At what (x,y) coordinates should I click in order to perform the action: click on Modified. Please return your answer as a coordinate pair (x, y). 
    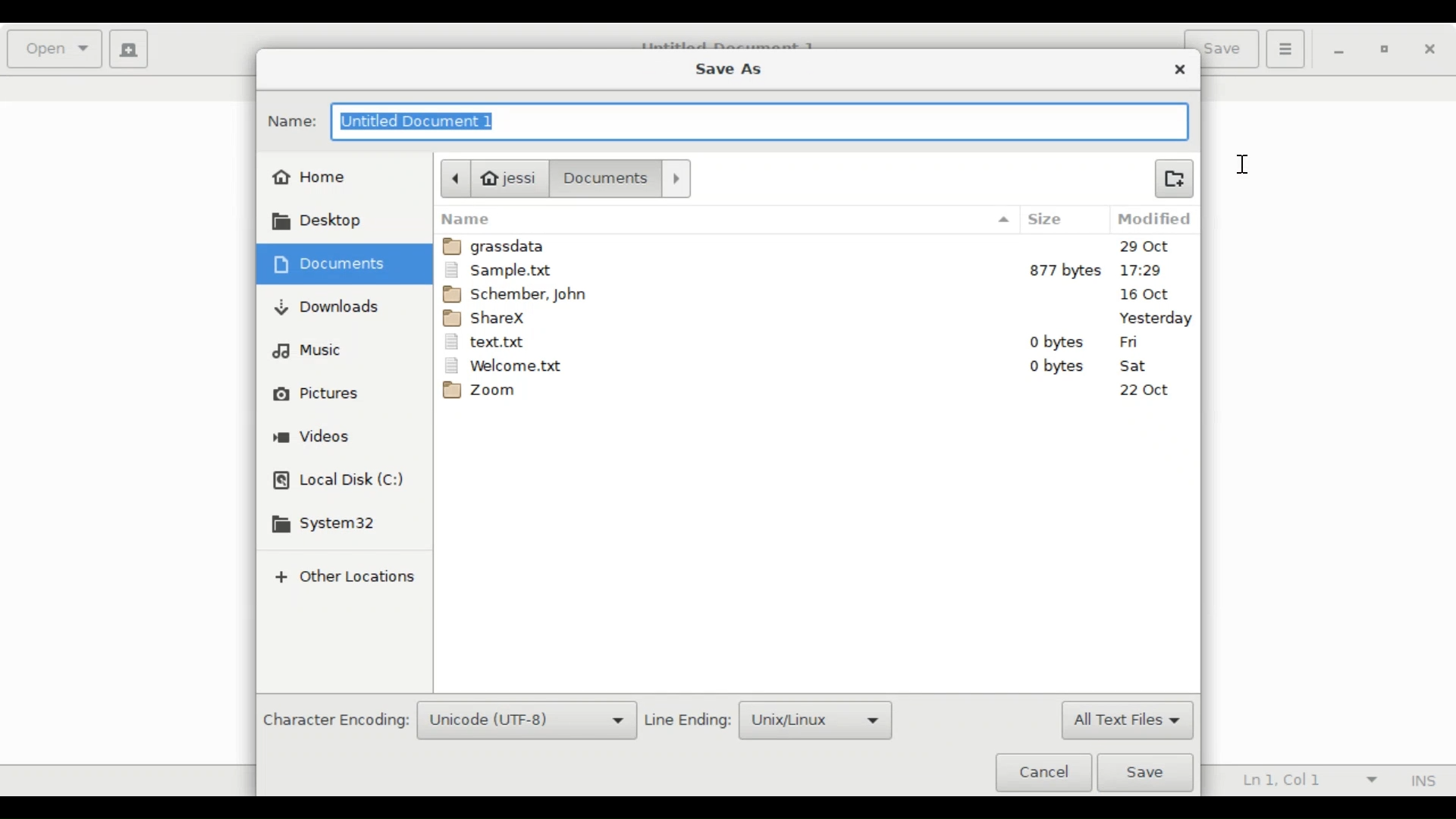
    Looking at the image, I should click on (1156, 219).